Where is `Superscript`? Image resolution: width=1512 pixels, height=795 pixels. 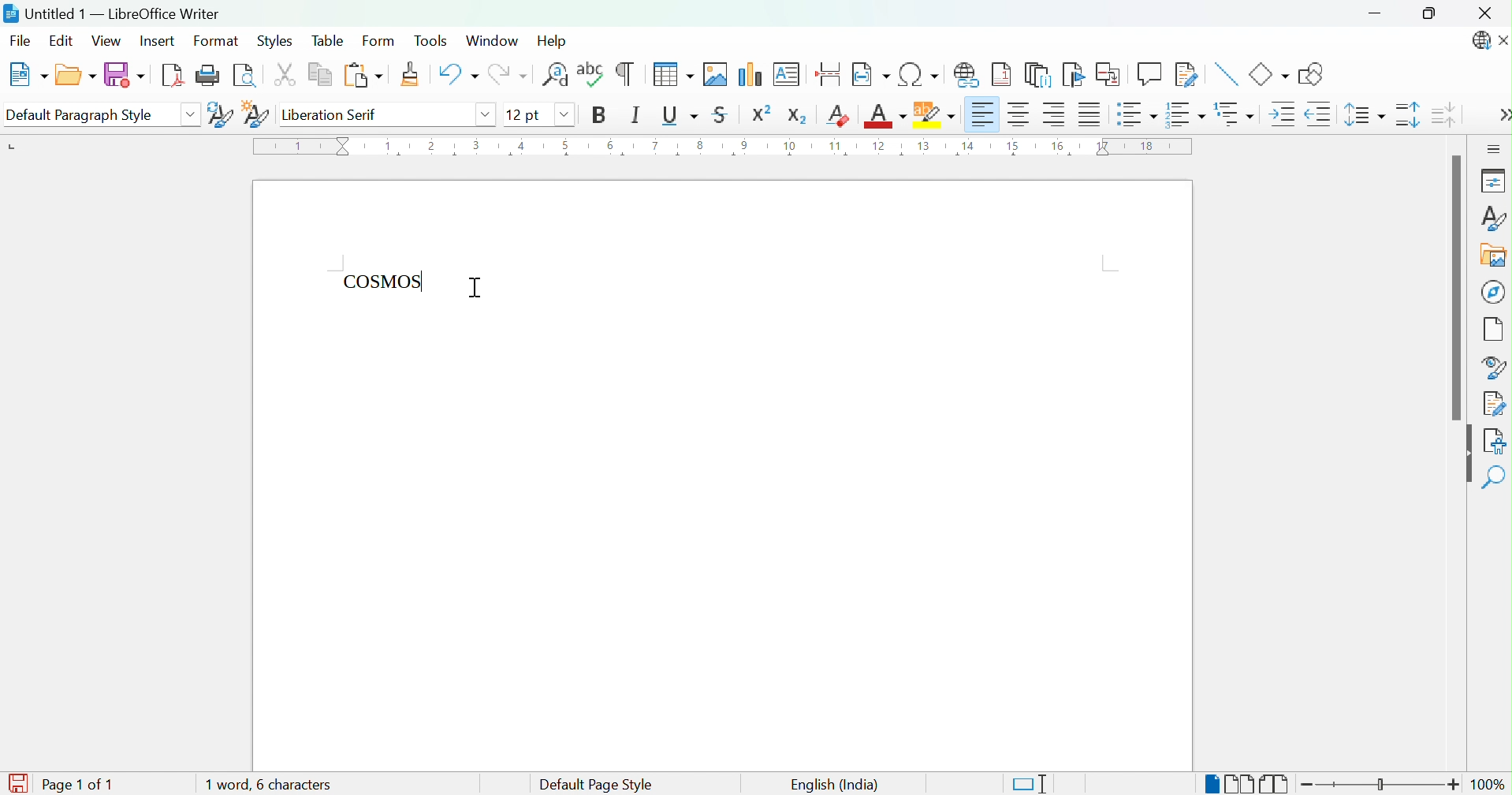 Superscript is located at coordinates (764, 114).